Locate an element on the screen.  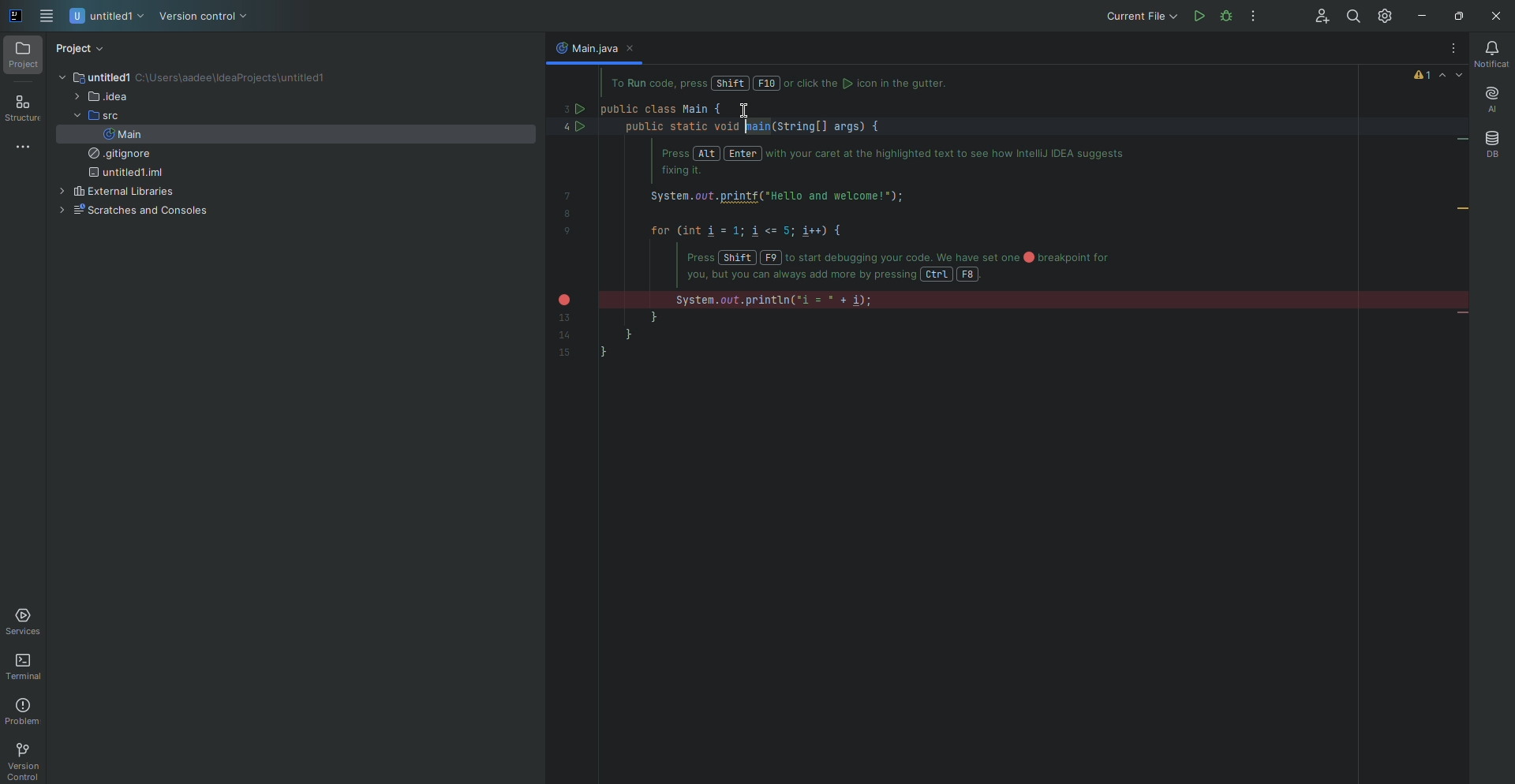
Minimize is located at coordinates (1418, 17).